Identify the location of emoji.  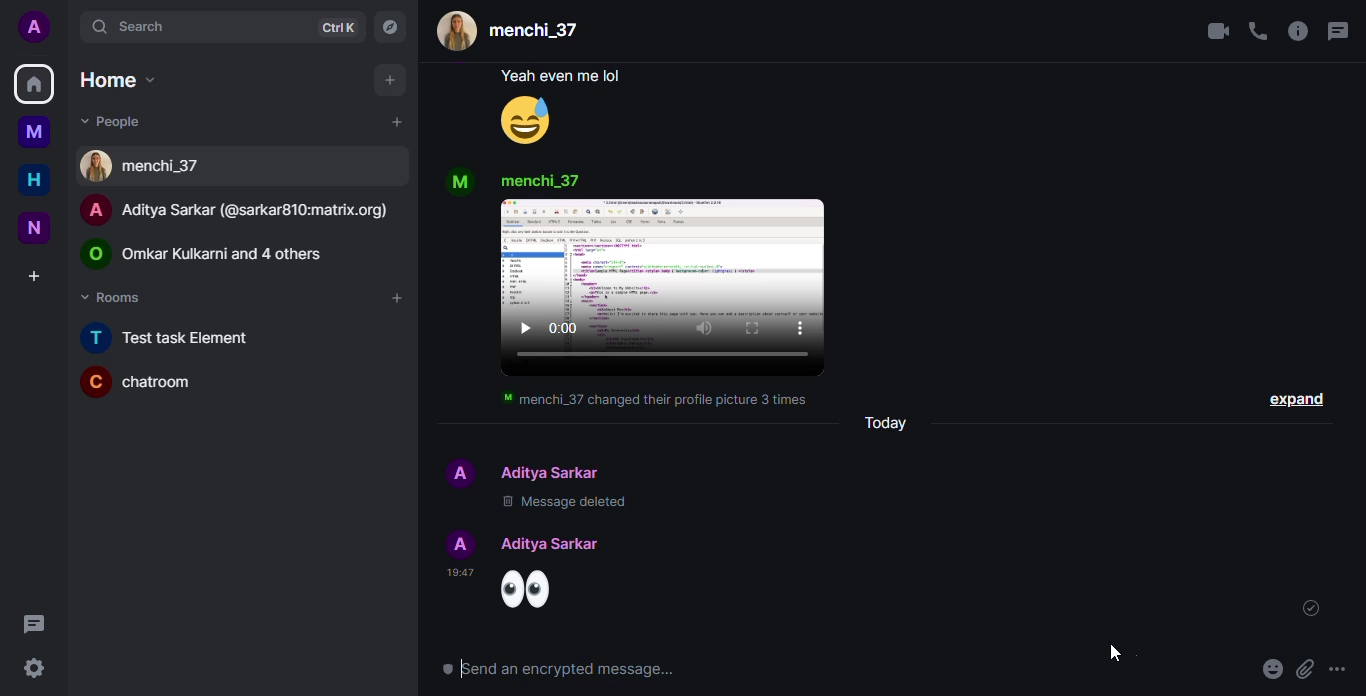
(538, 121).